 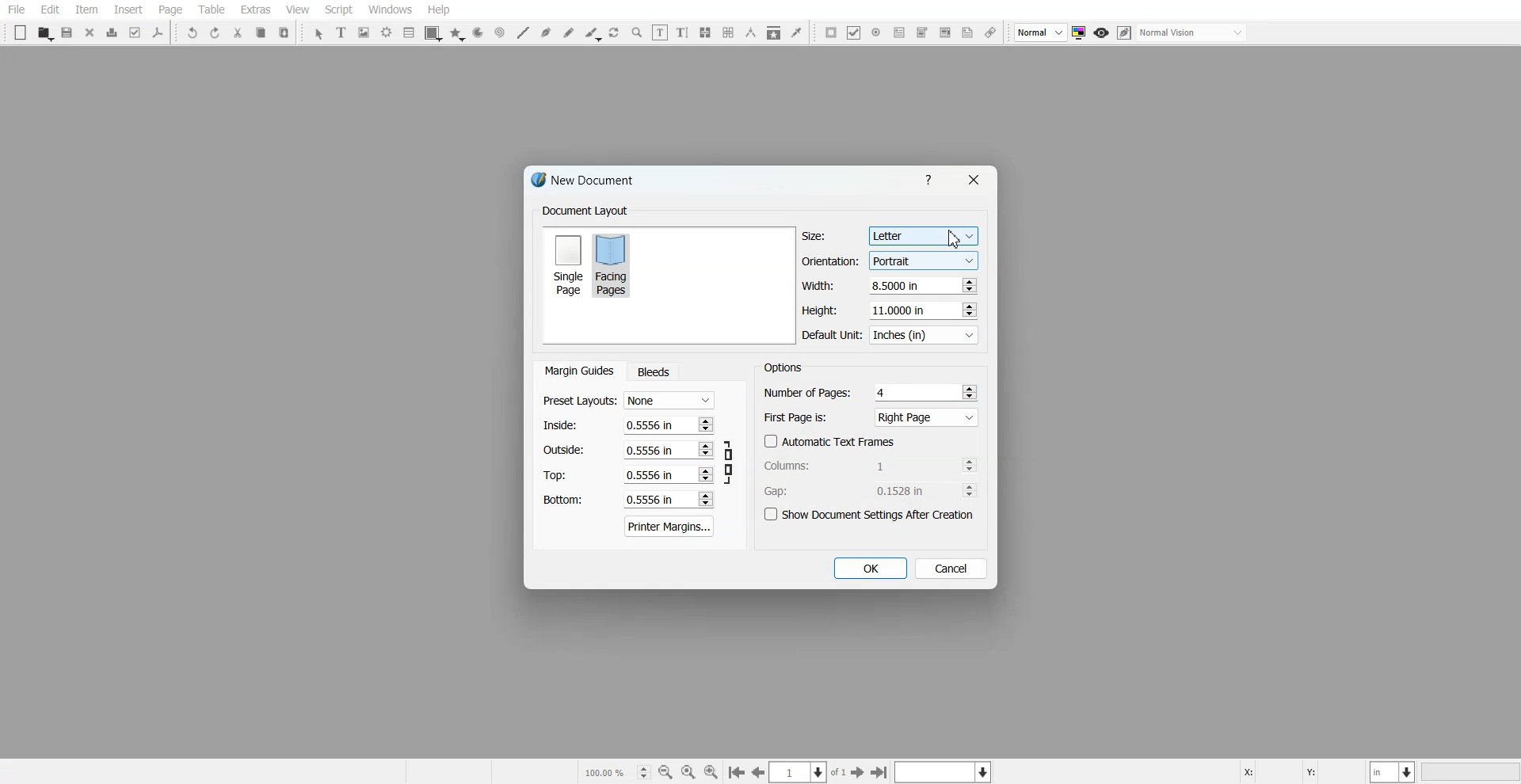 What do you see at coordinates (364, 32) in the screenshot?
I see `Image Frame` at bounding box center [364, 32].